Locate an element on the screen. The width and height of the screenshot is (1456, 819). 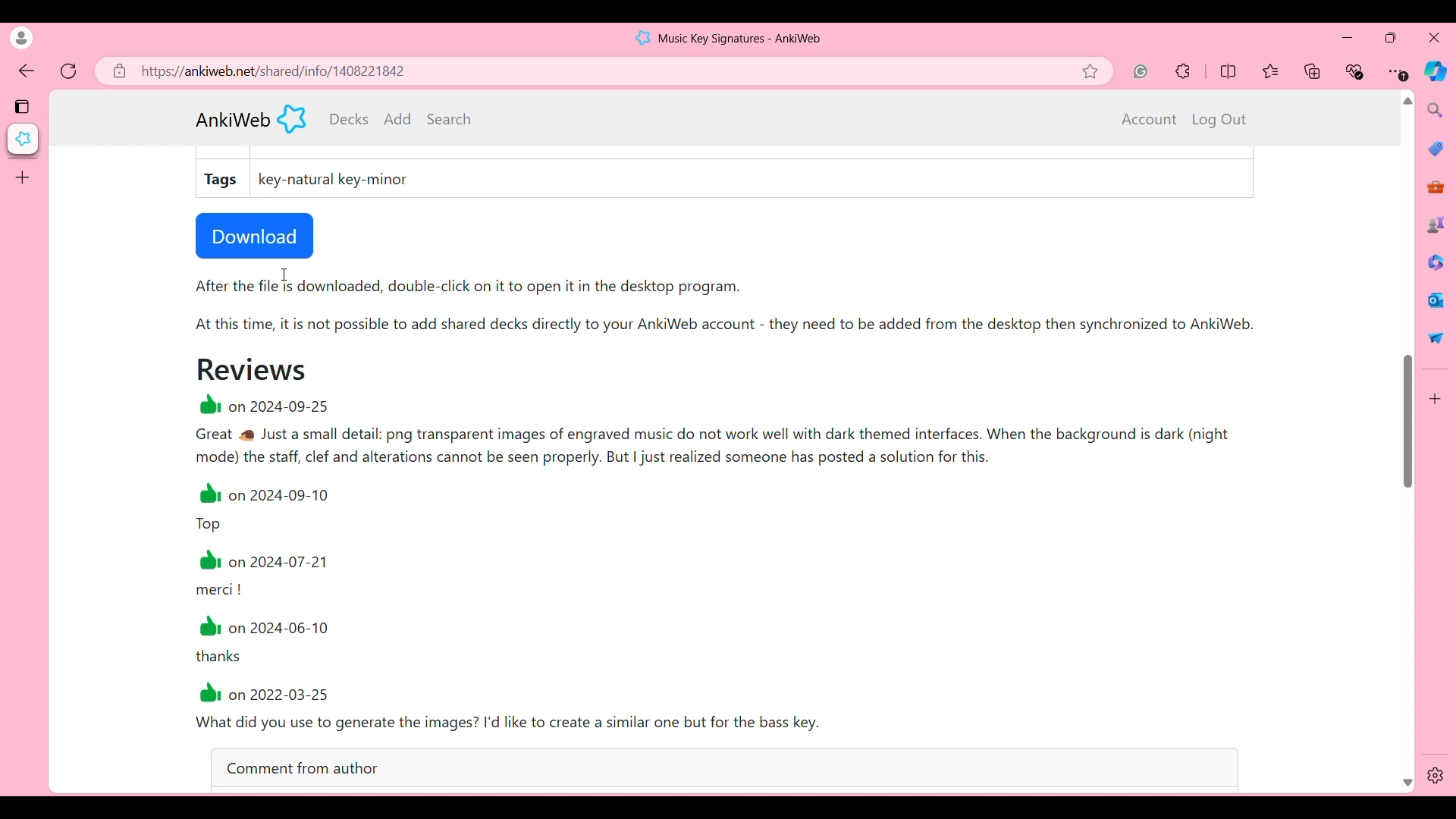
Search is located at coordinates (1436, 110).